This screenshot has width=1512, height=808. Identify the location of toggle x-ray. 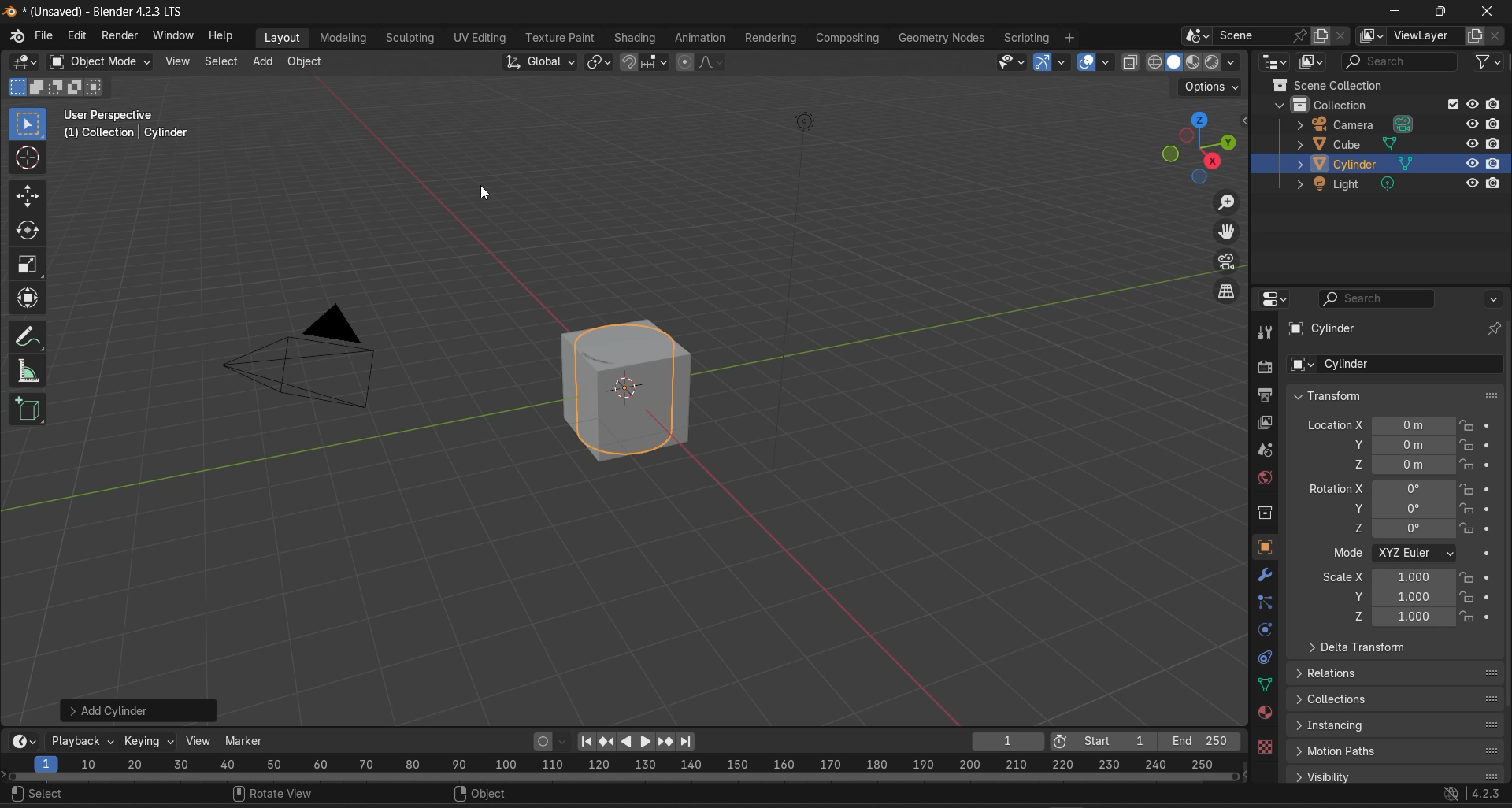
(1132, 61).